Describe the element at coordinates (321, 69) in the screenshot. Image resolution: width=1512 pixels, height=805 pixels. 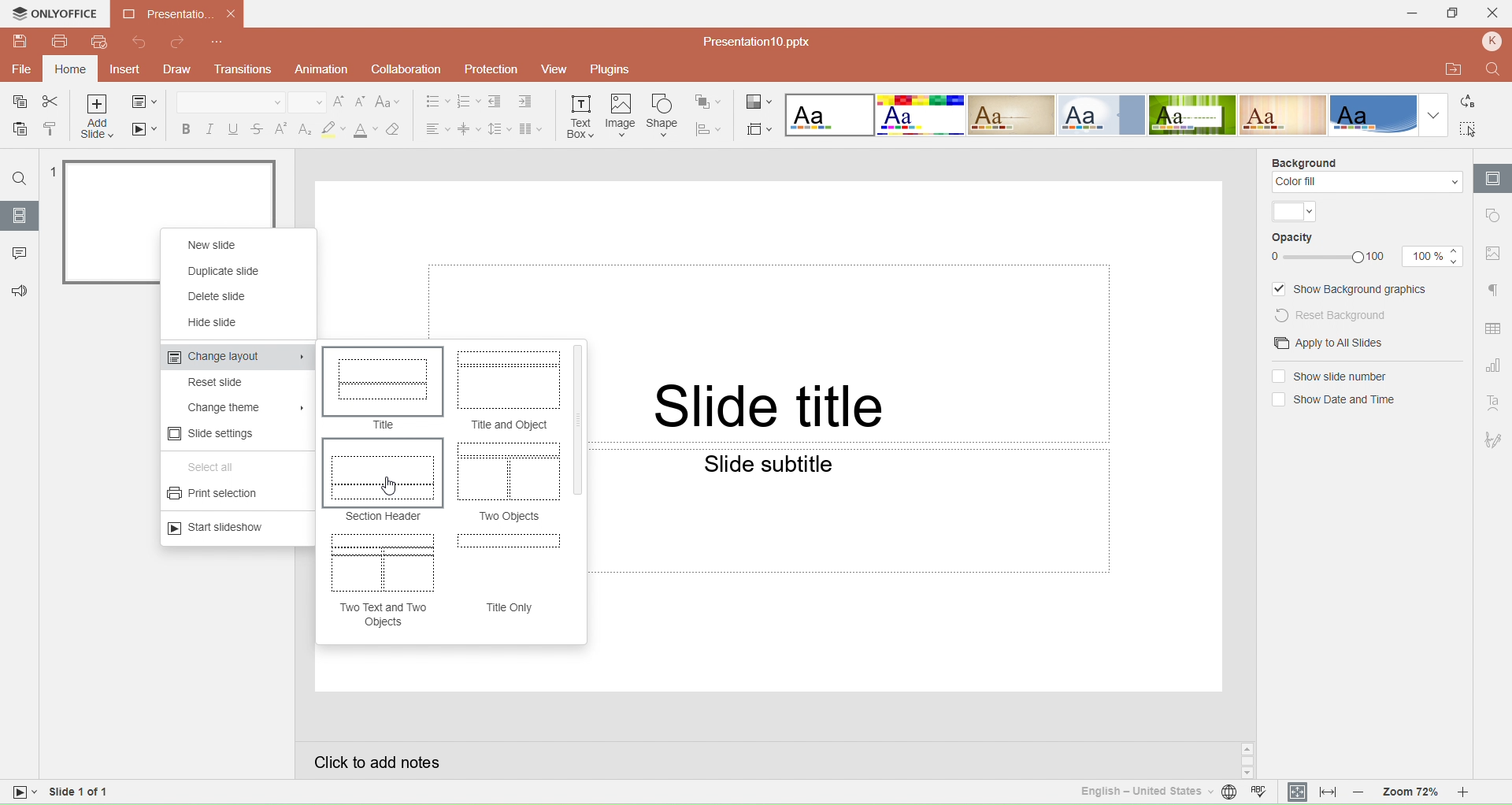
I see `Animation` at that location.